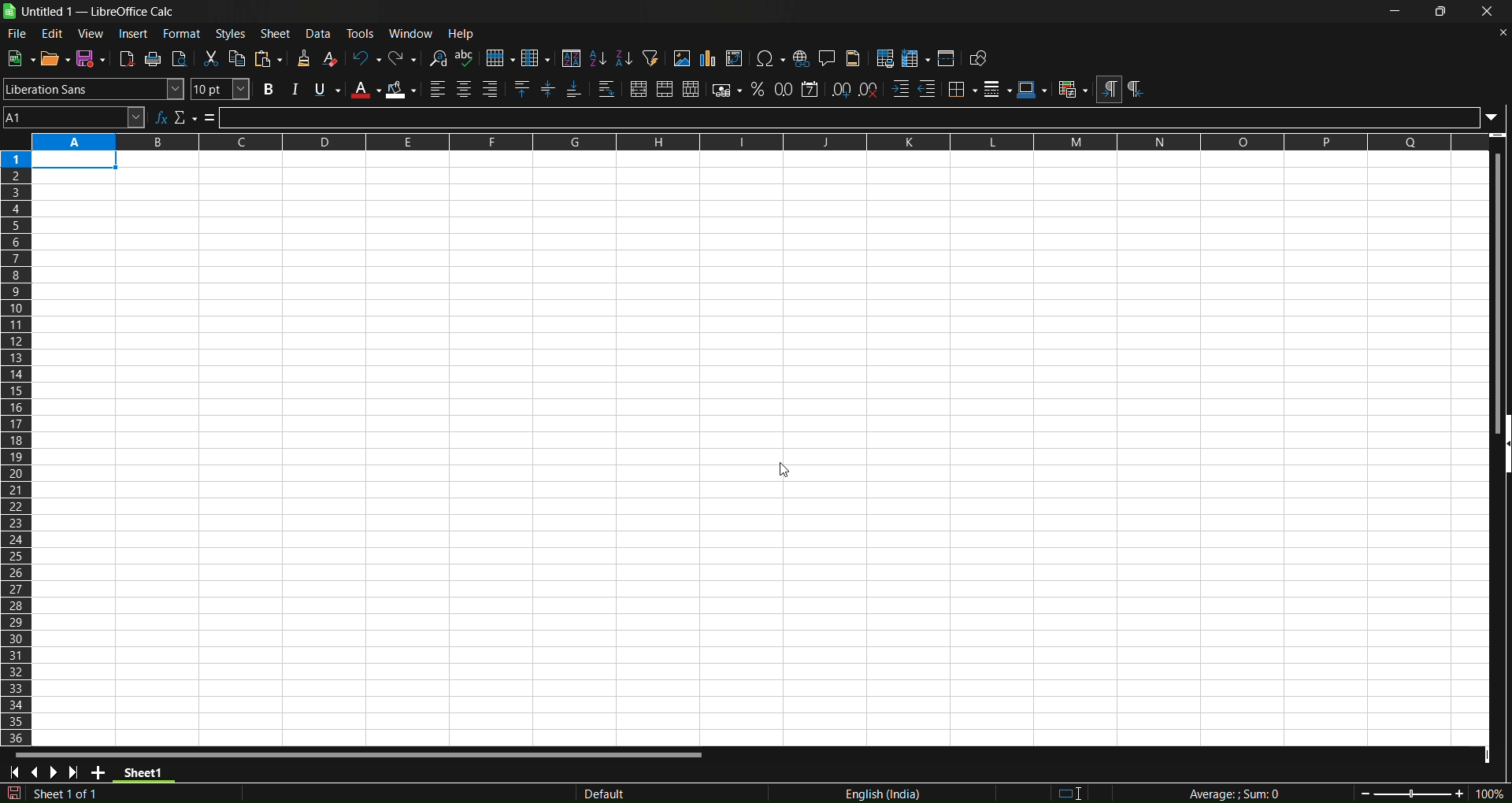  What do you see at coordinates (464, 90) in the screenshot?
I see `align center` at bounding box center [464, 90].